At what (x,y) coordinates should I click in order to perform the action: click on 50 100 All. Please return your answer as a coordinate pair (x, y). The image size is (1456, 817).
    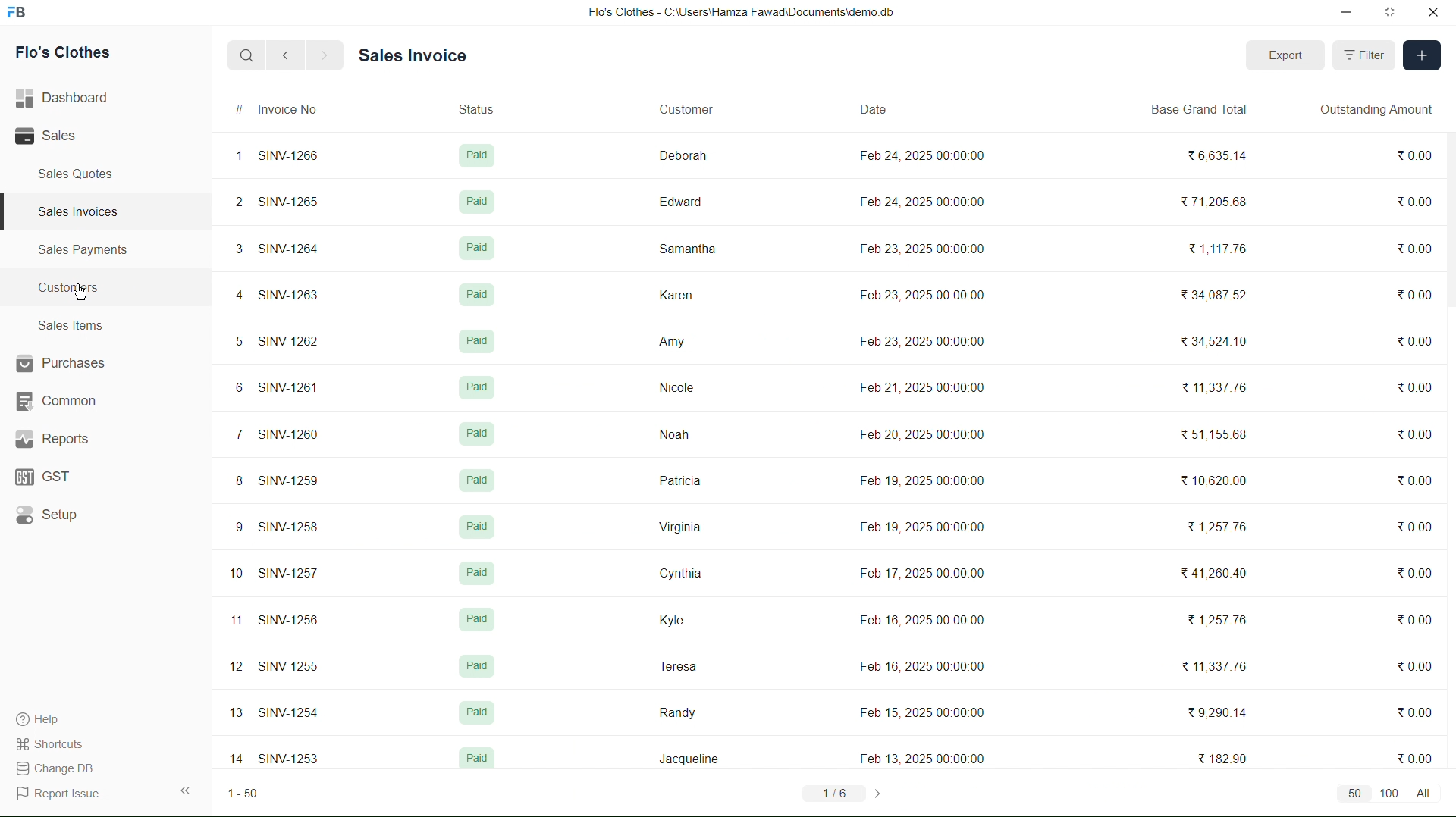
    Looking at the image, I should click on (1392, 796).